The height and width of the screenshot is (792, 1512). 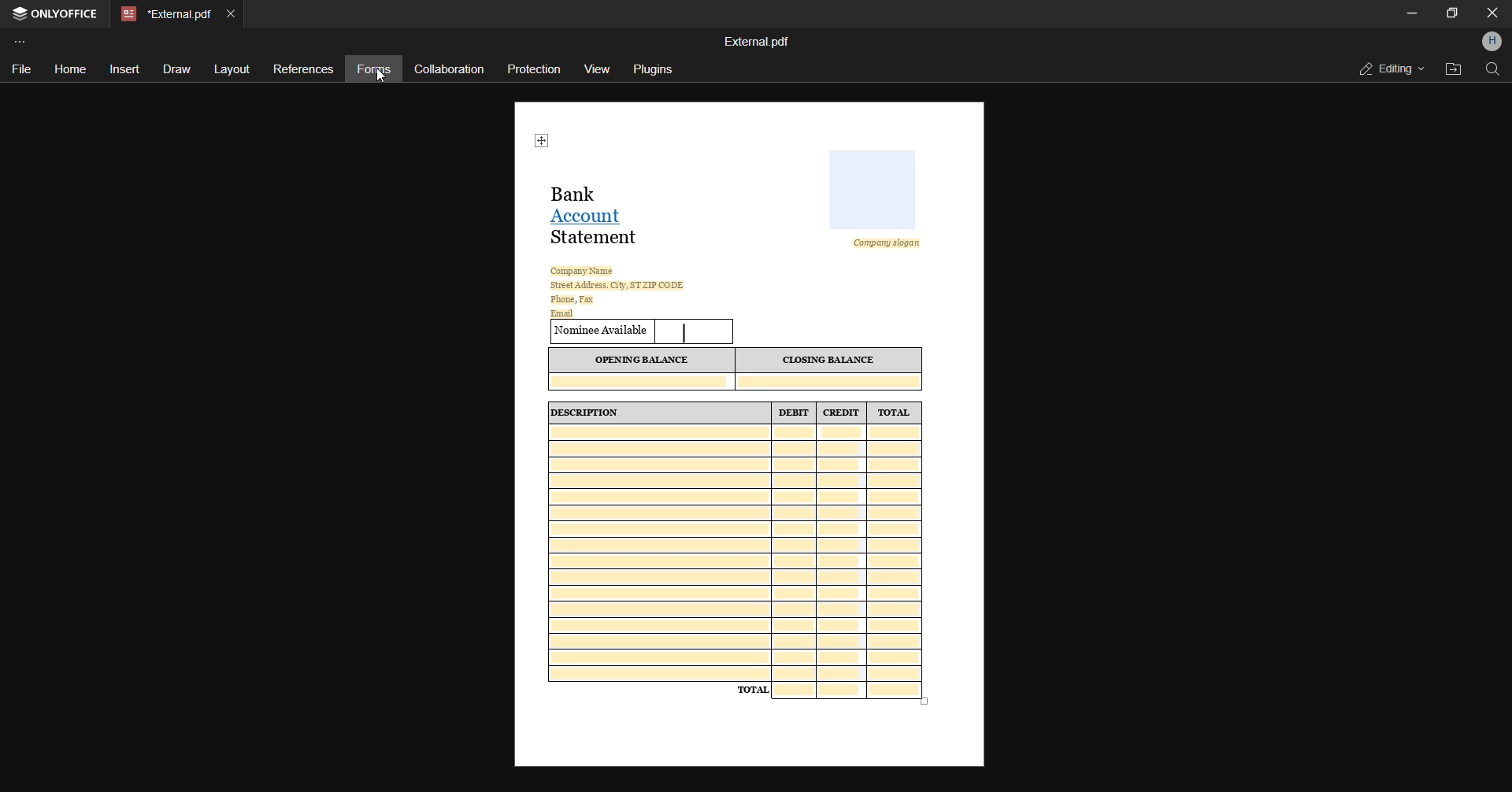 What do you see at coordinates (232, 69) in the screenshot?
I see `layout` at bounding box center [232, 69].